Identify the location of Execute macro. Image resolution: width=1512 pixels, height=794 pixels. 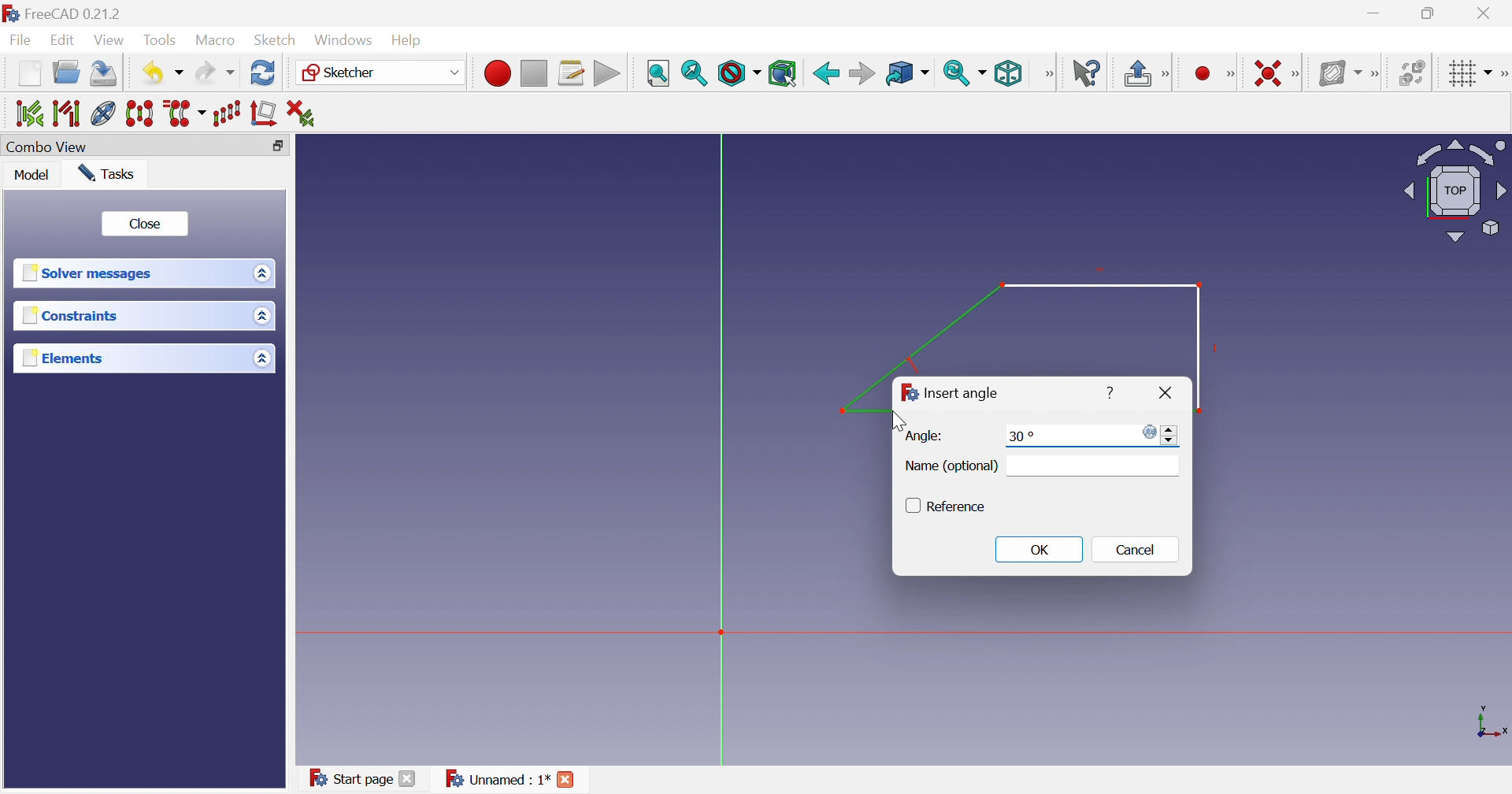
(606, 73).